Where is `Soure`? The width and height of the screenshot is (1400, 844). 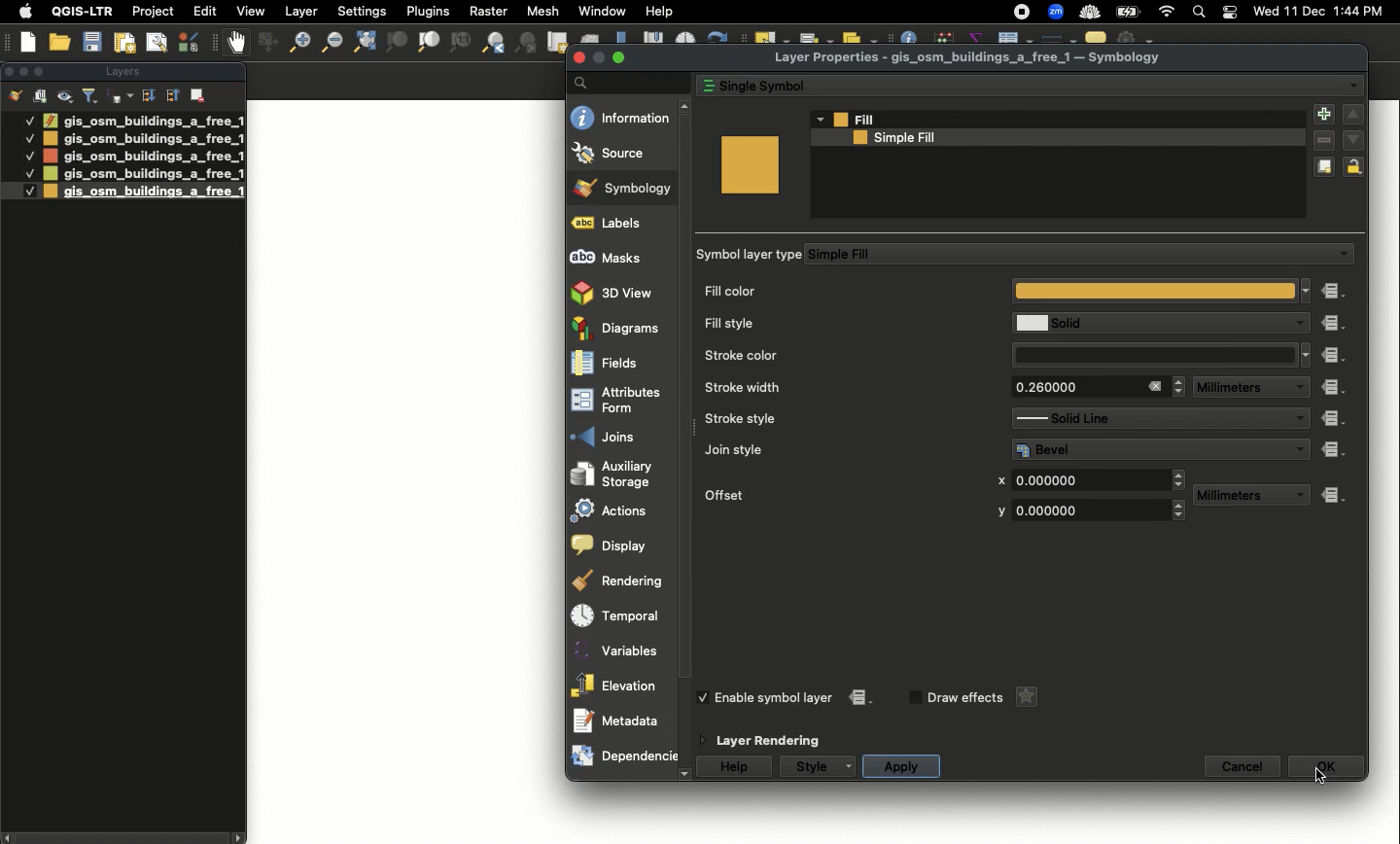 Soure is located at coordinates (620, 153).